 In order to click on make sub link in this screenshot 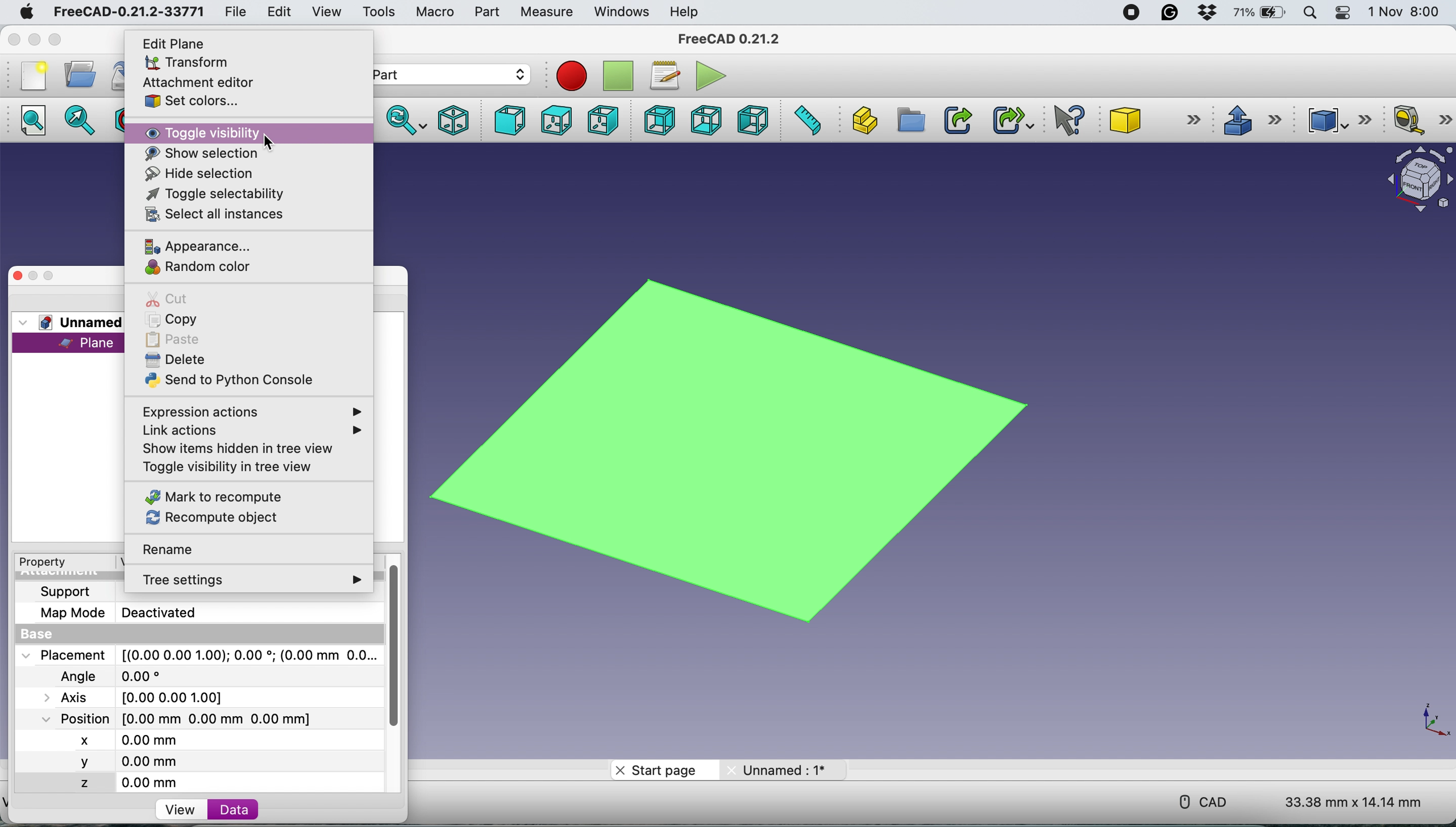, I will do `click(1012, 116)`.